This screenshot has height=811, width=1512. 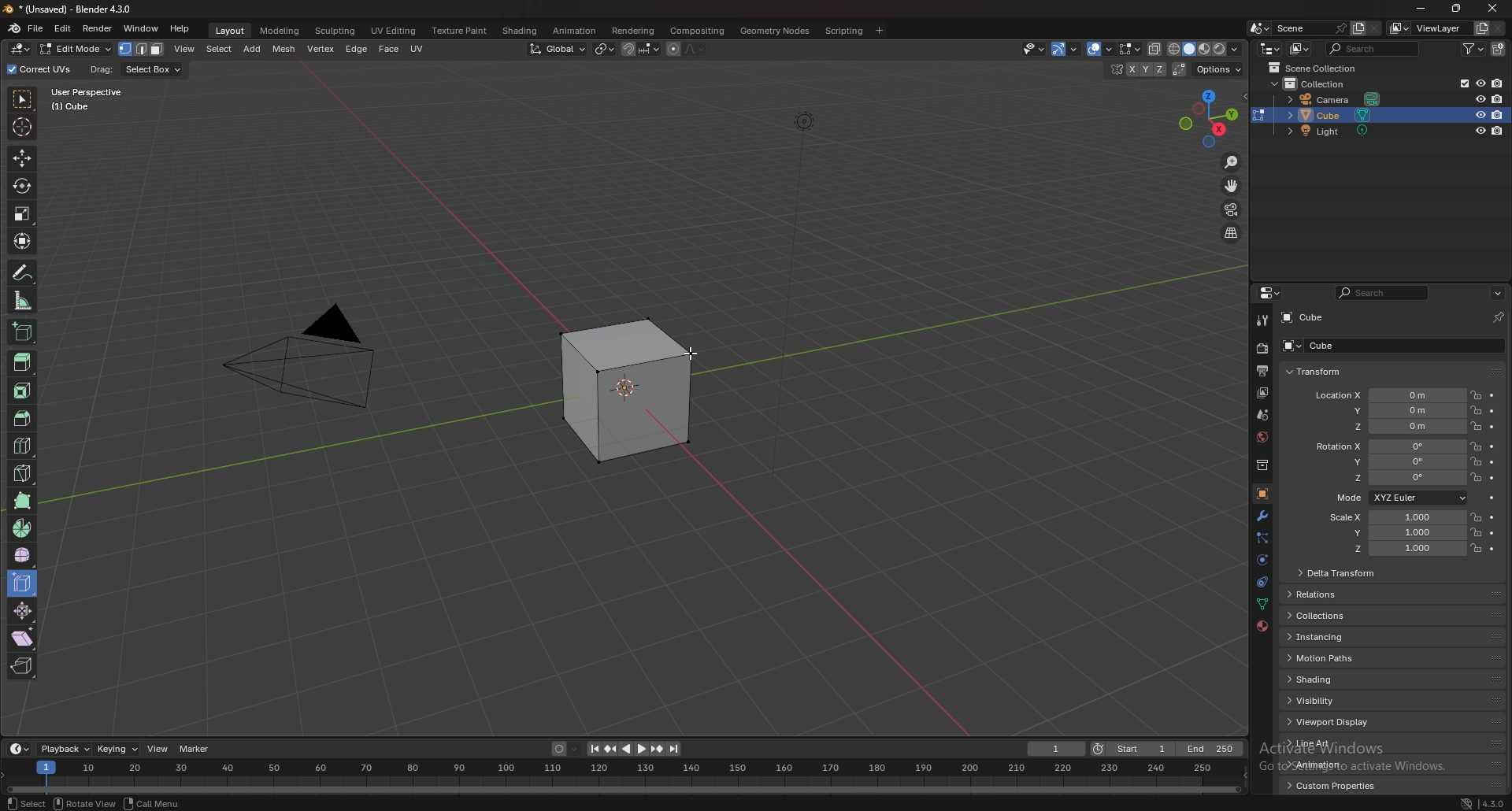 I want to click on particle, so click(x=1262, y=539).